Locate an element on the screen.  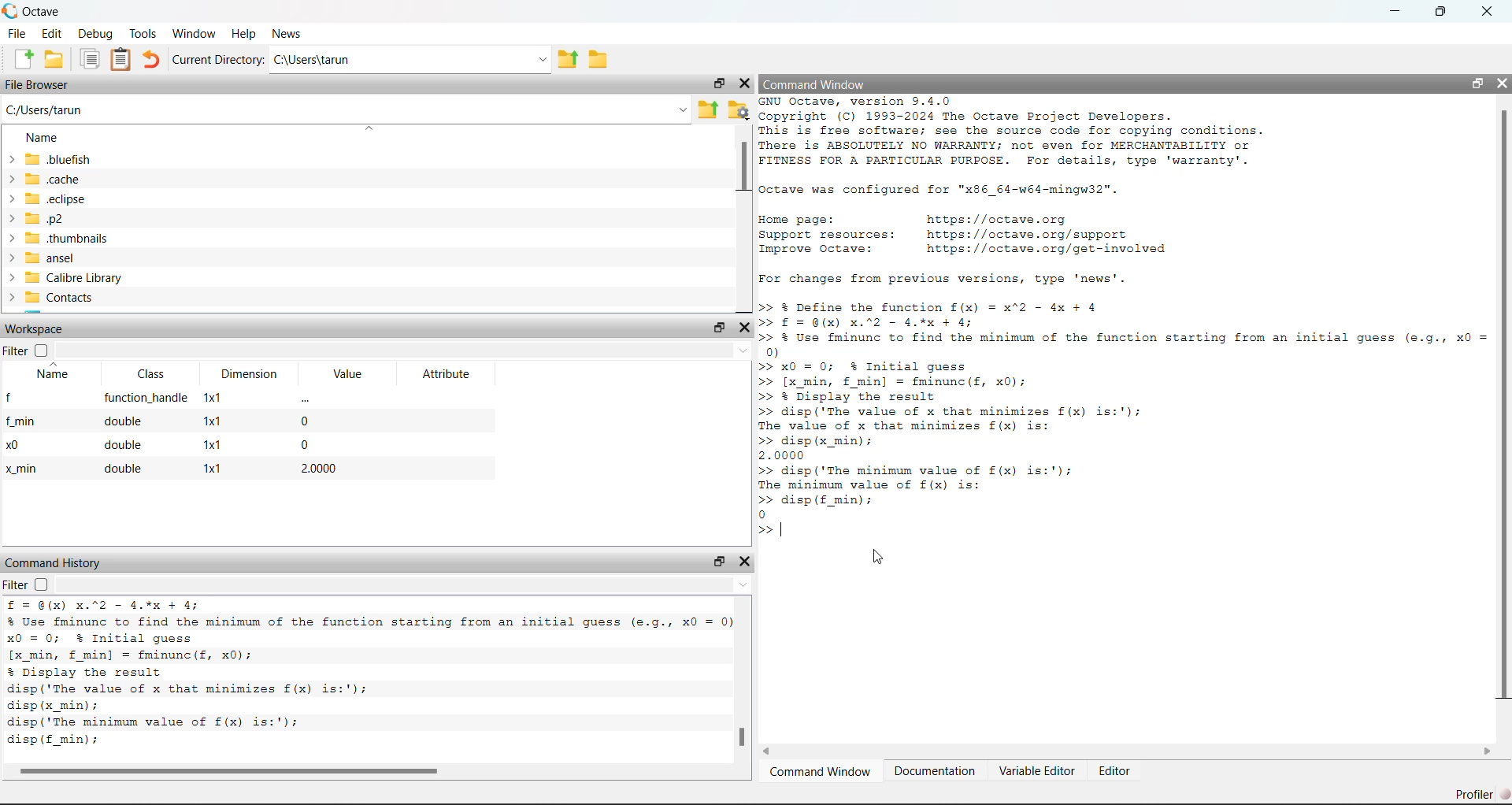
Dropdown is located at coordinates (742, 350).